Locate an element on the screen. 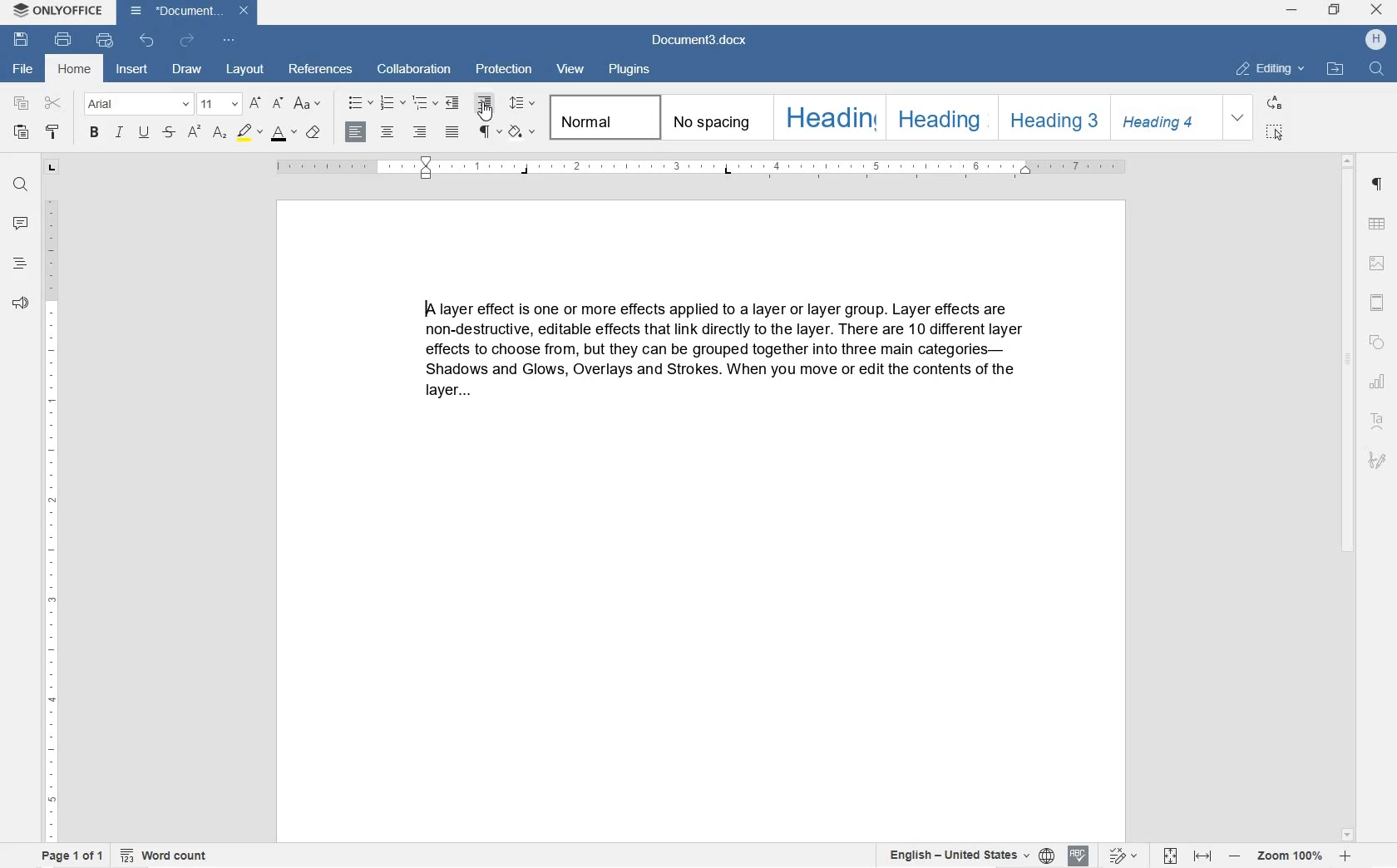 Image resolution: width=1397 pixels, height=868 pixels. HOME is located at coordinates (72, 69).